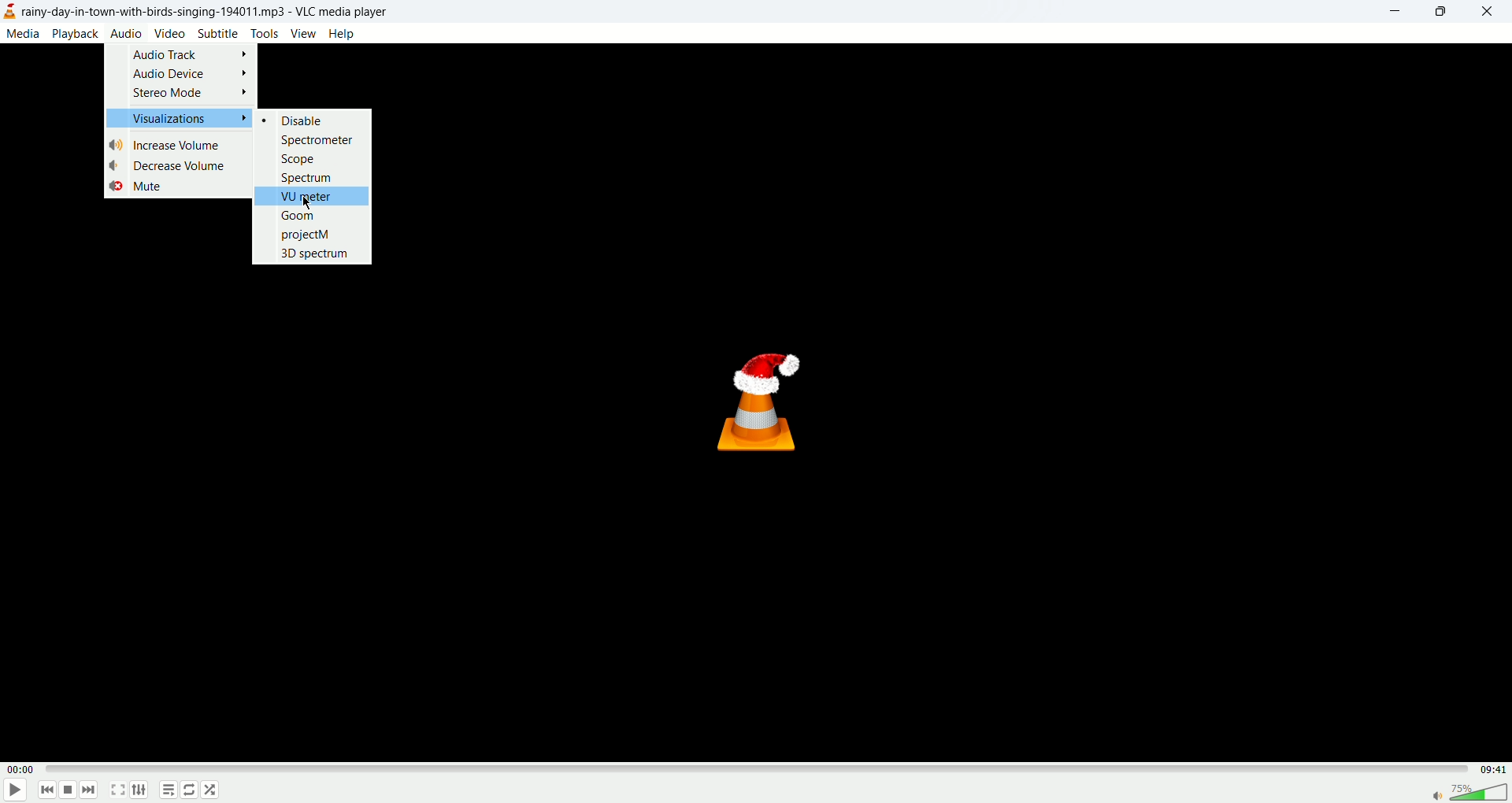 This screenshot has height=803, width=1512. I want to click on volume bar, so click(1468, 791).